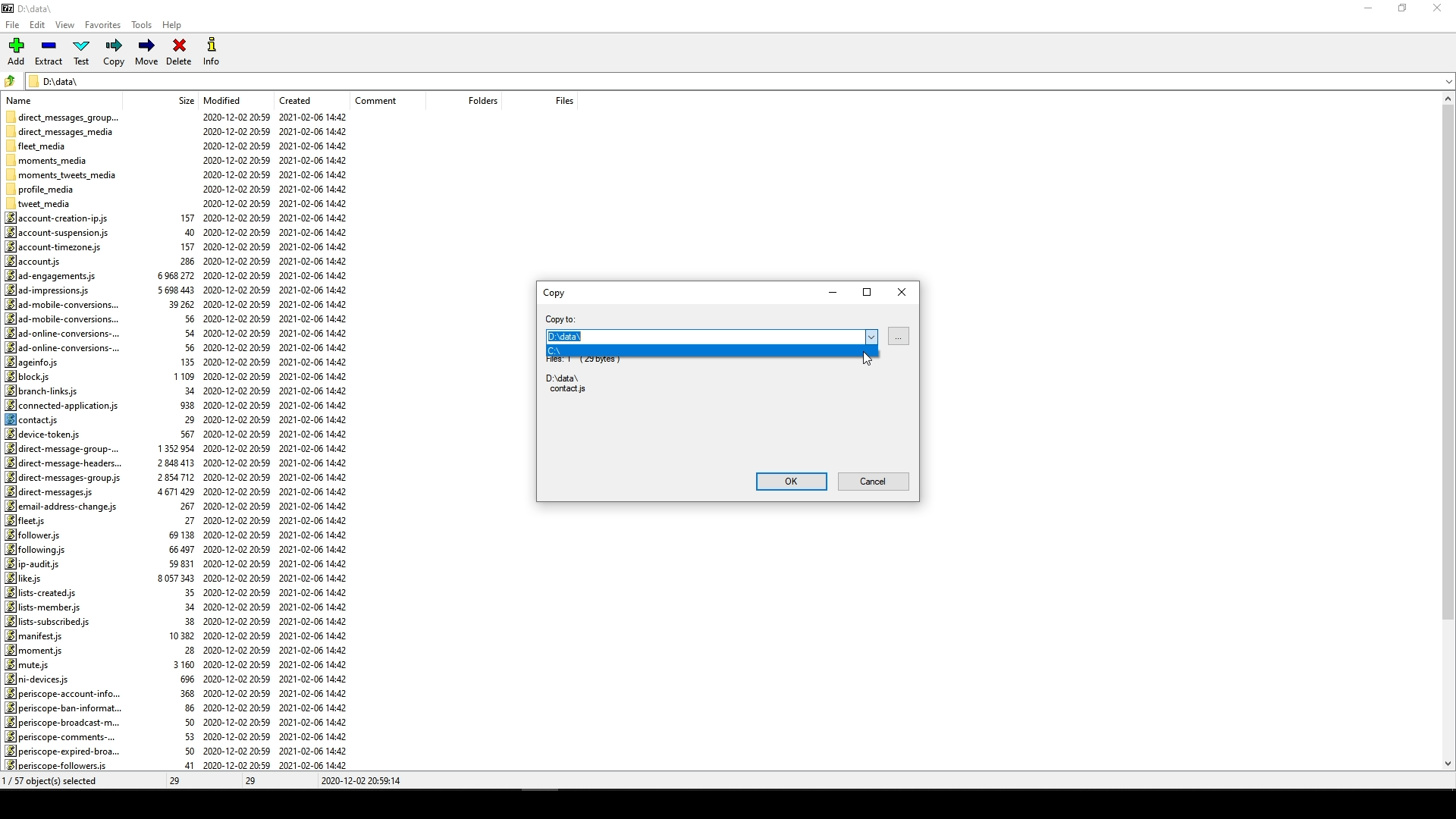 The width and height of the screenshot is (1456, 819). Describe the element at coordinates (37, 419) in the screenshot. I see `contacts.js` at that location.